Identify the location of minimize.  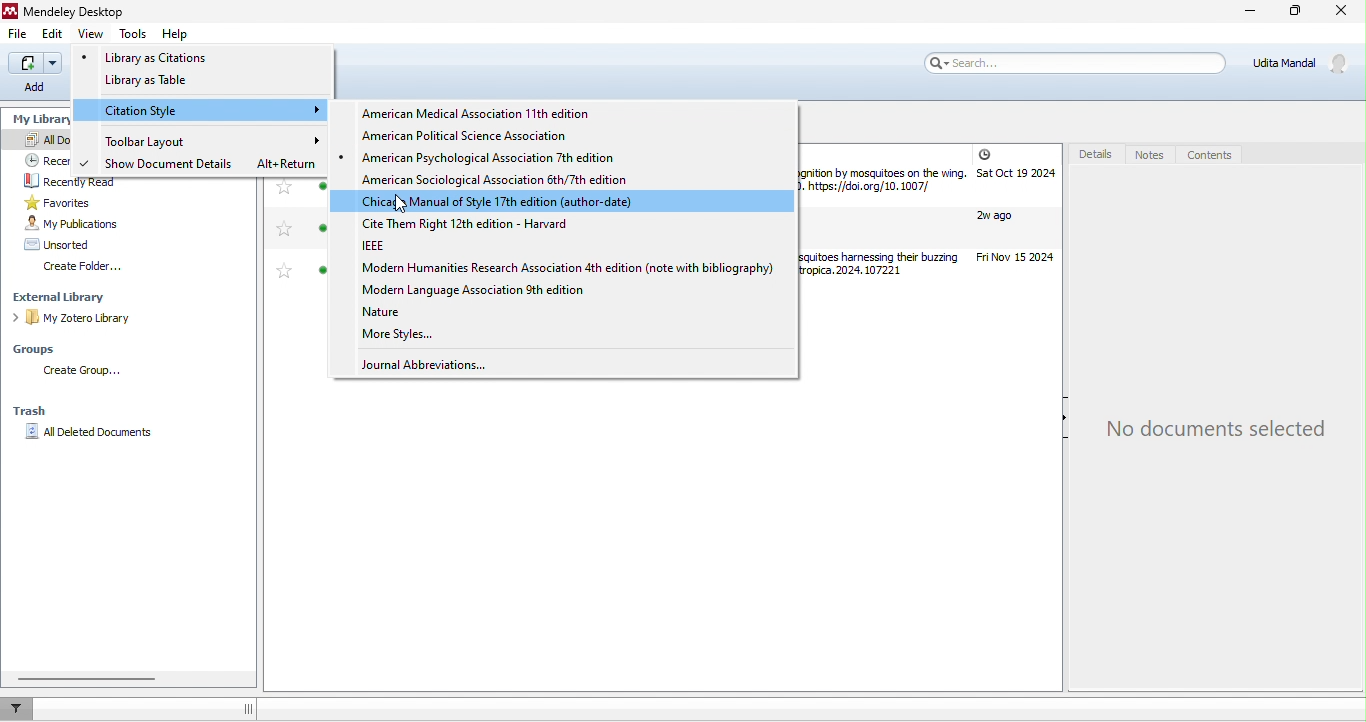
(1249, 13).